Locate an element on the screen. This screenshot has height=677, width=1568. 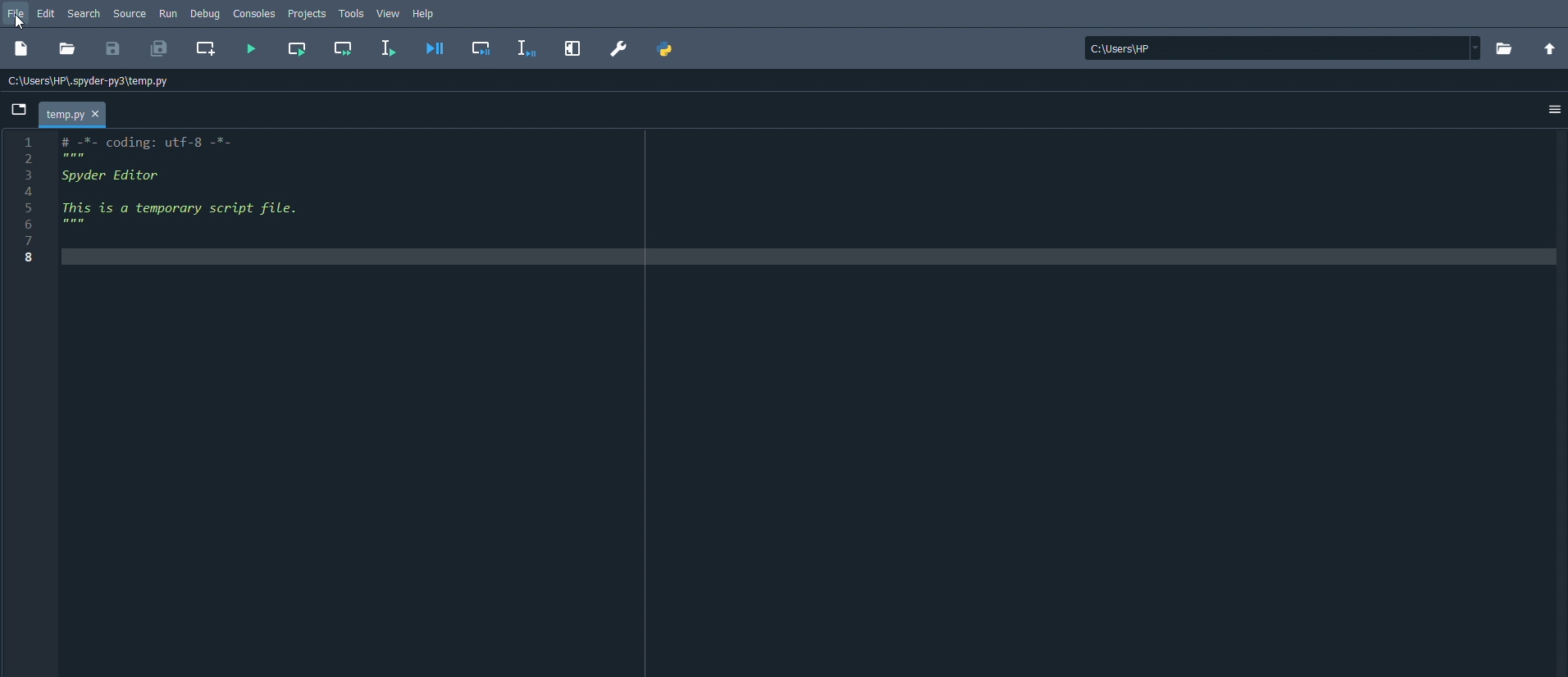
Temporary file is located at coordinates (63, 115).